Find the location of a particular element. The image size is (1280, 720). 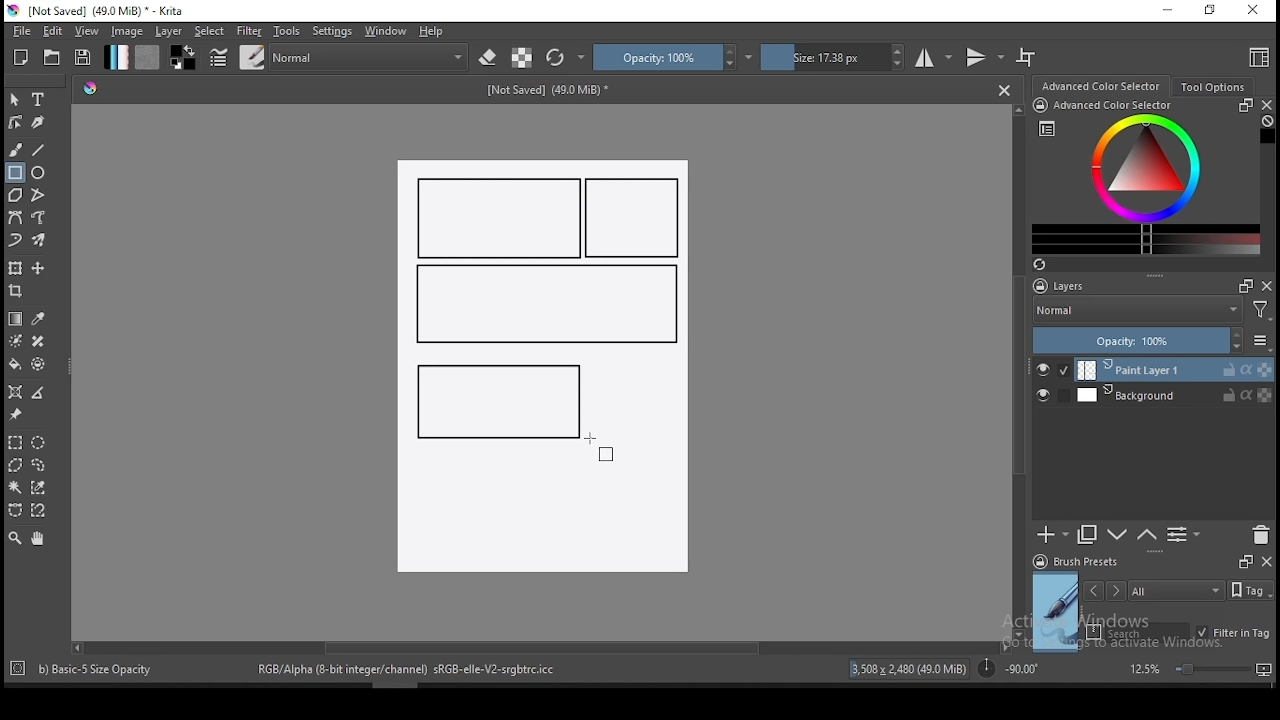

Clear is located at coordinates (1267, 123).